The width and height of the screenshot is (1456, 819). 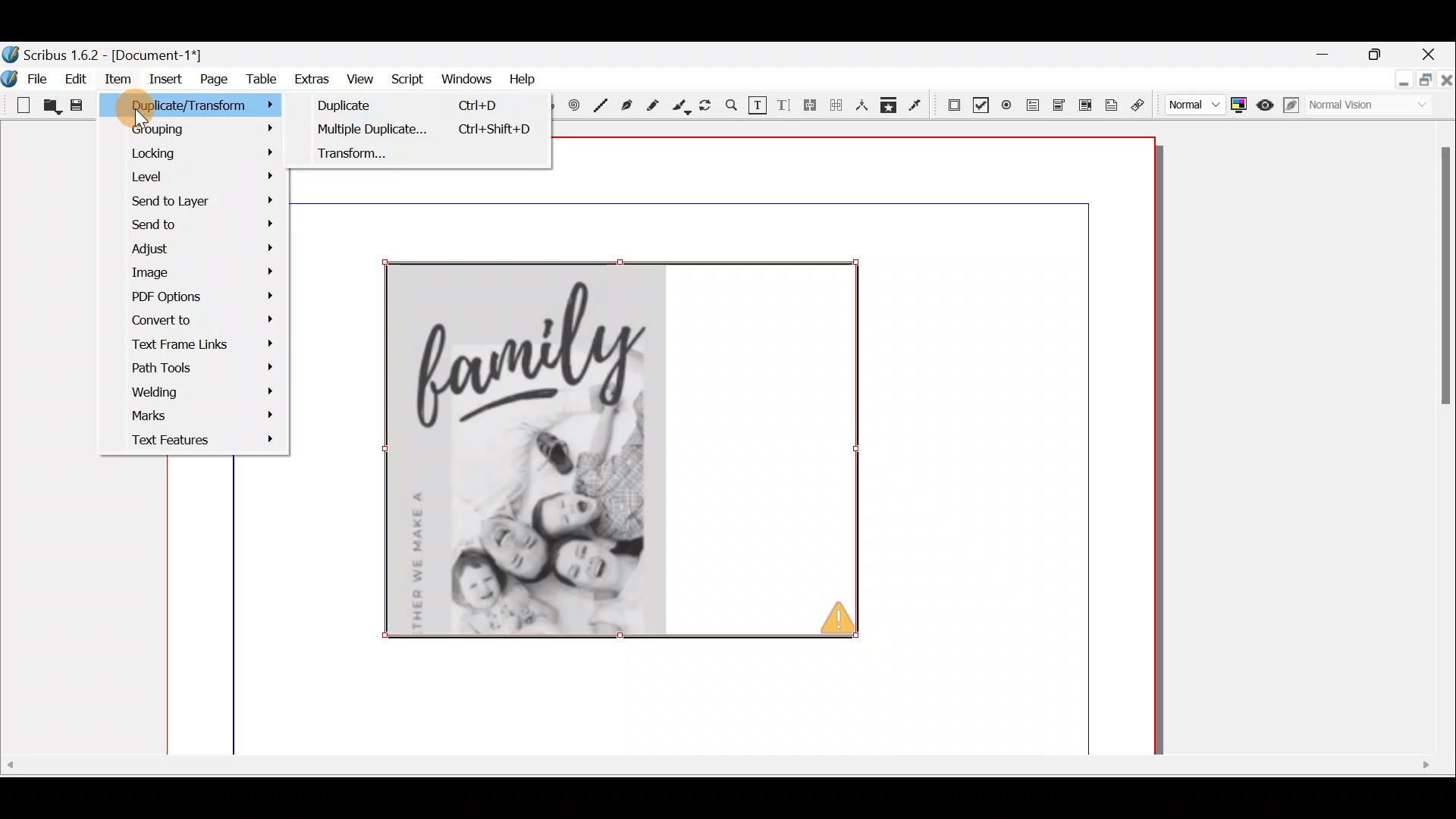 What do you see at coordinates (1325, 55) in the screenshot?
I see `Minimise` at bounding box center [1325, 55].